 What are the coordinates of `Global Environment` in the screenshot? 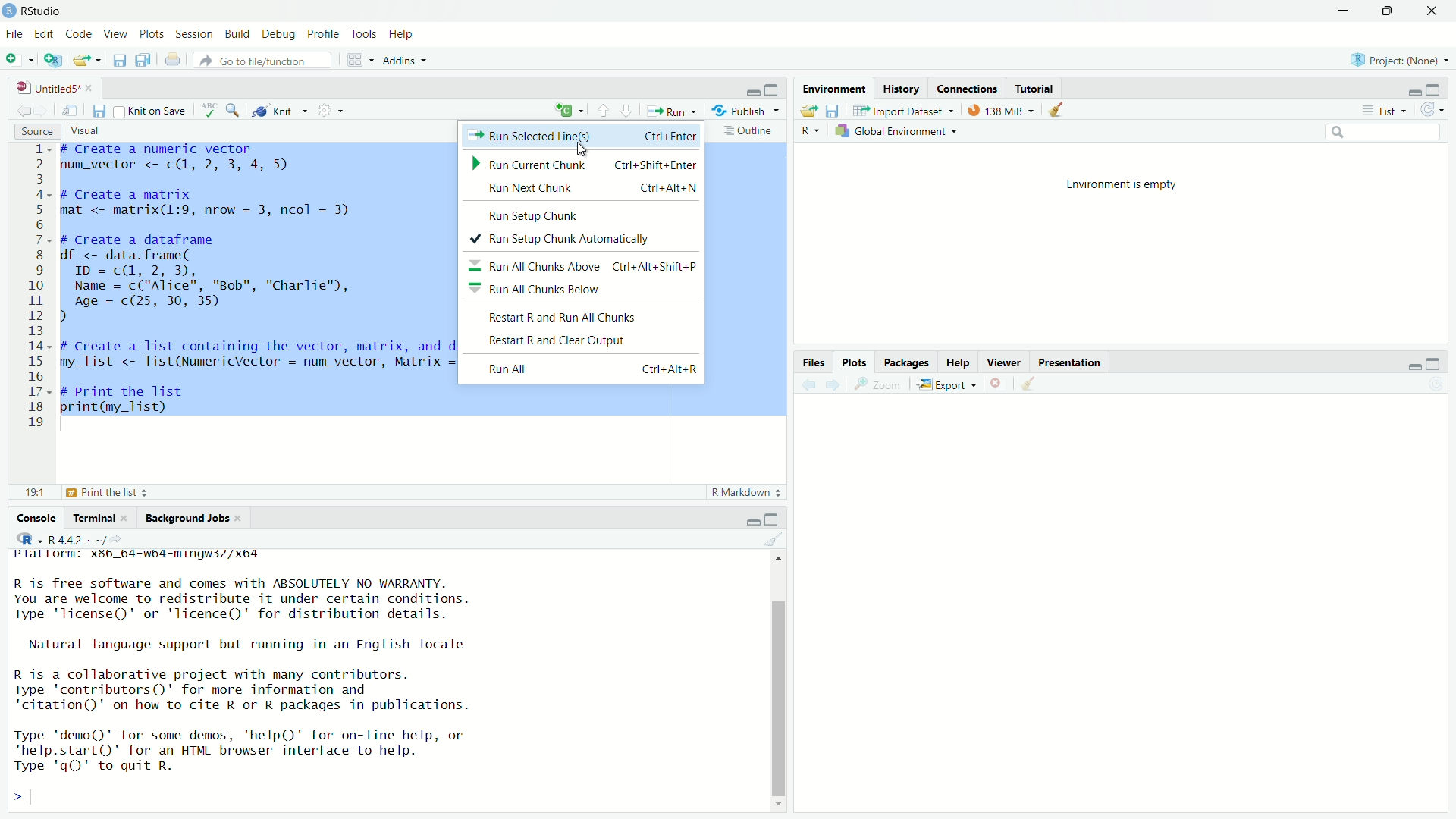 It's located at (899, 130).